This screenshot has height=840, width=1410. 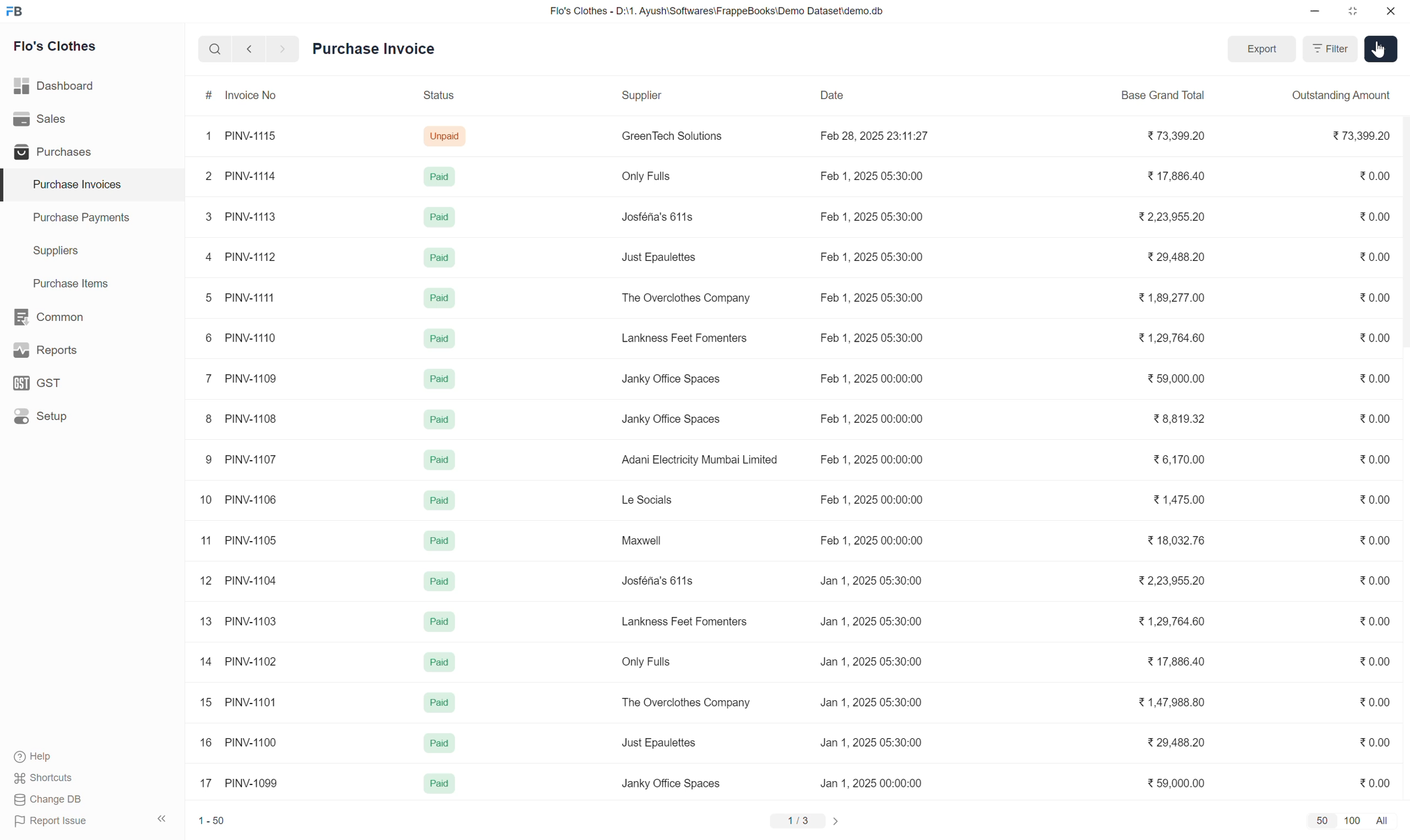 I want to click on 11, so click(x=207, y=540).